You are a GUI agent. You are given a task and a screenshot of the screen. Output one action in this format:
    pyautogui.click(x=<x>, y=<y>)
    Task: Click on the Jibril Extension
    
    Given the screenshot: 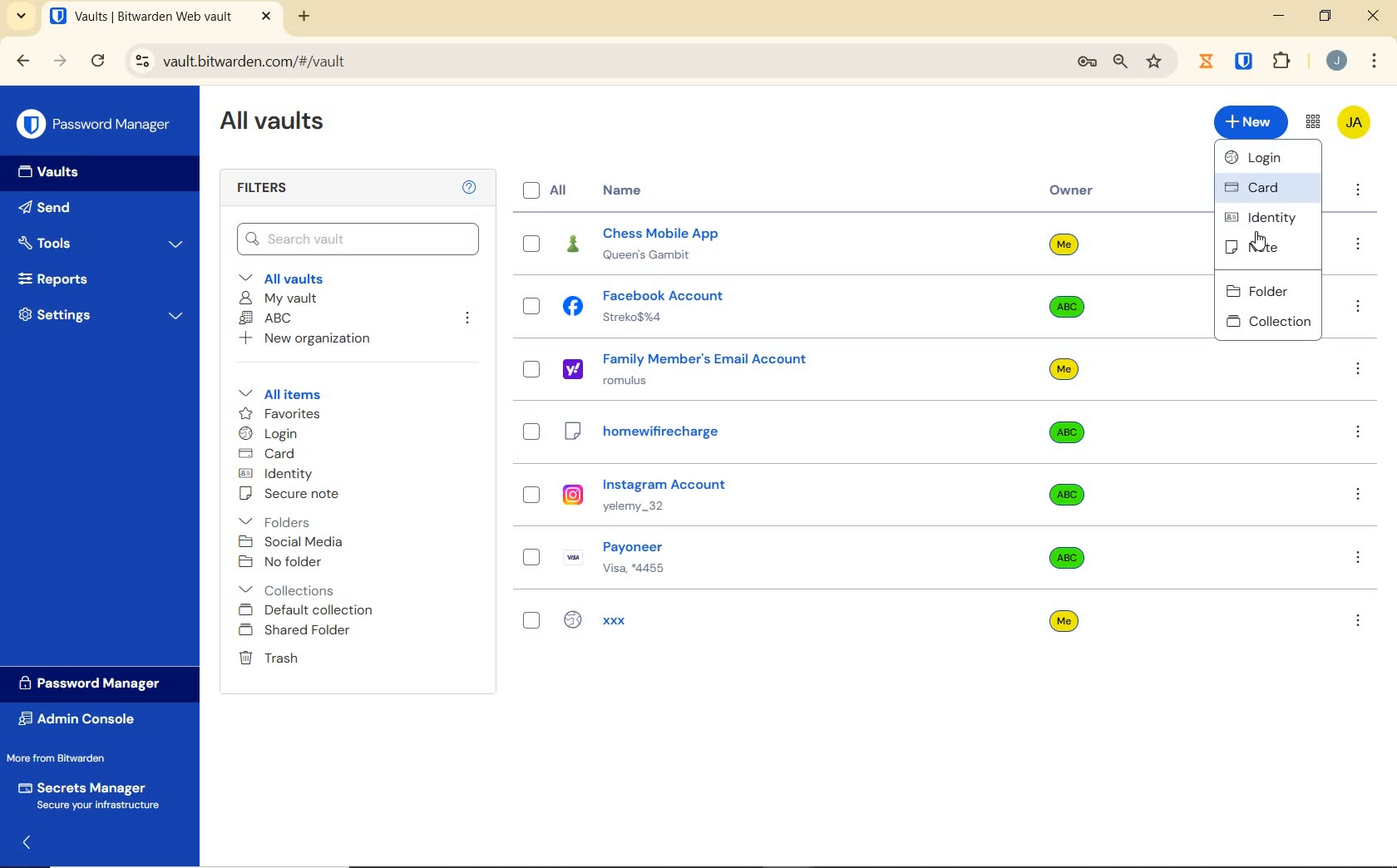 What is the action you would take?
    pyautogui.click(x=1208, y=61)
    